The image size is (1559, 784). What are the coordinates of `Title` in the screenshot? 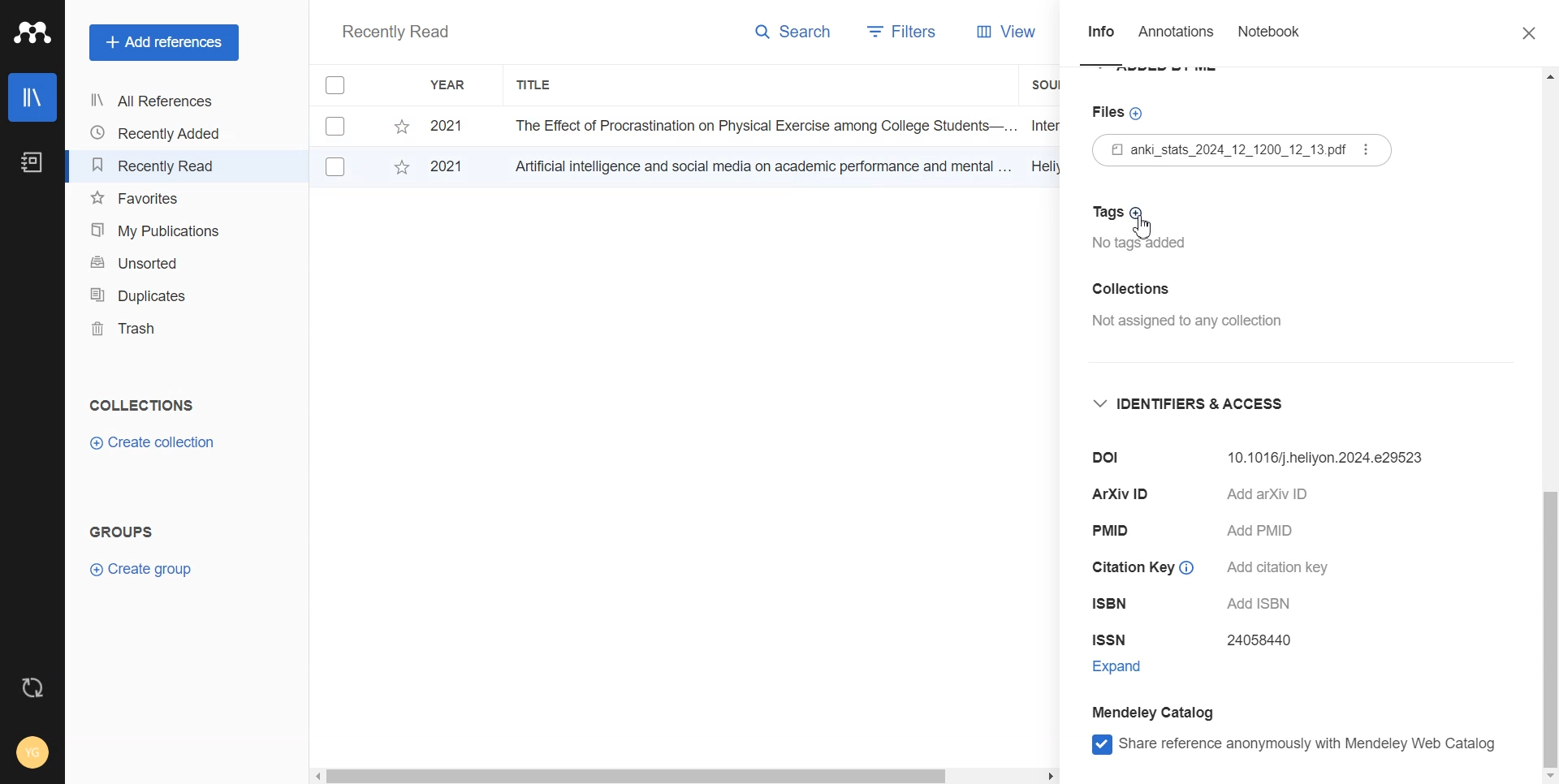 It's located at (535, 85).